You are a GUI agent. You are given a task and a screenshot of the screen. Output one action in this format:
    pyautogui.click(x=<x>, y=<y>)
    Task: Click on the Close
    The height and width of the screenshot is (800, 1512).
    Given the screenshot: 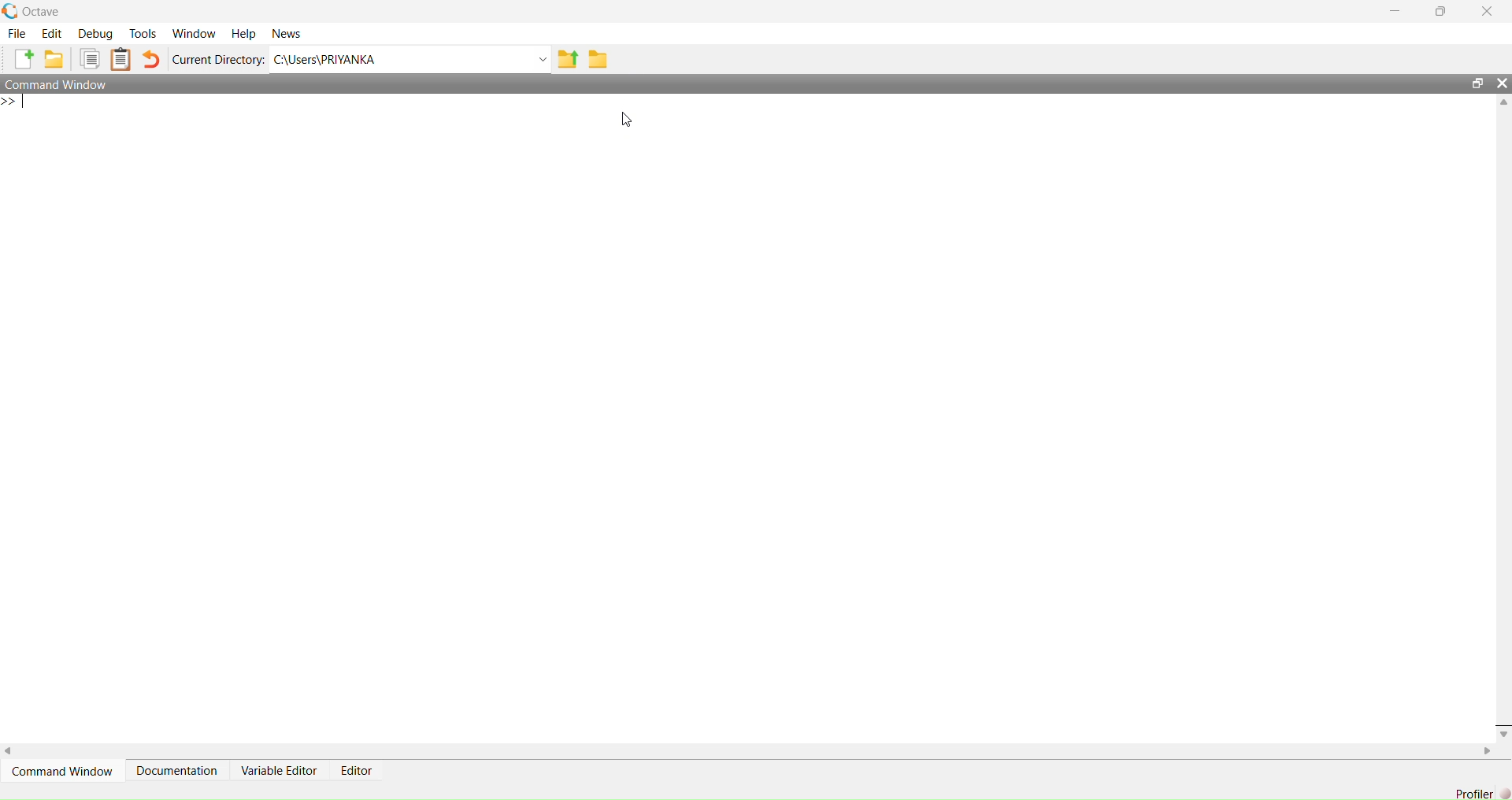 What is the action you would take?
    pyautogui.click(x=1503, y=82)
    